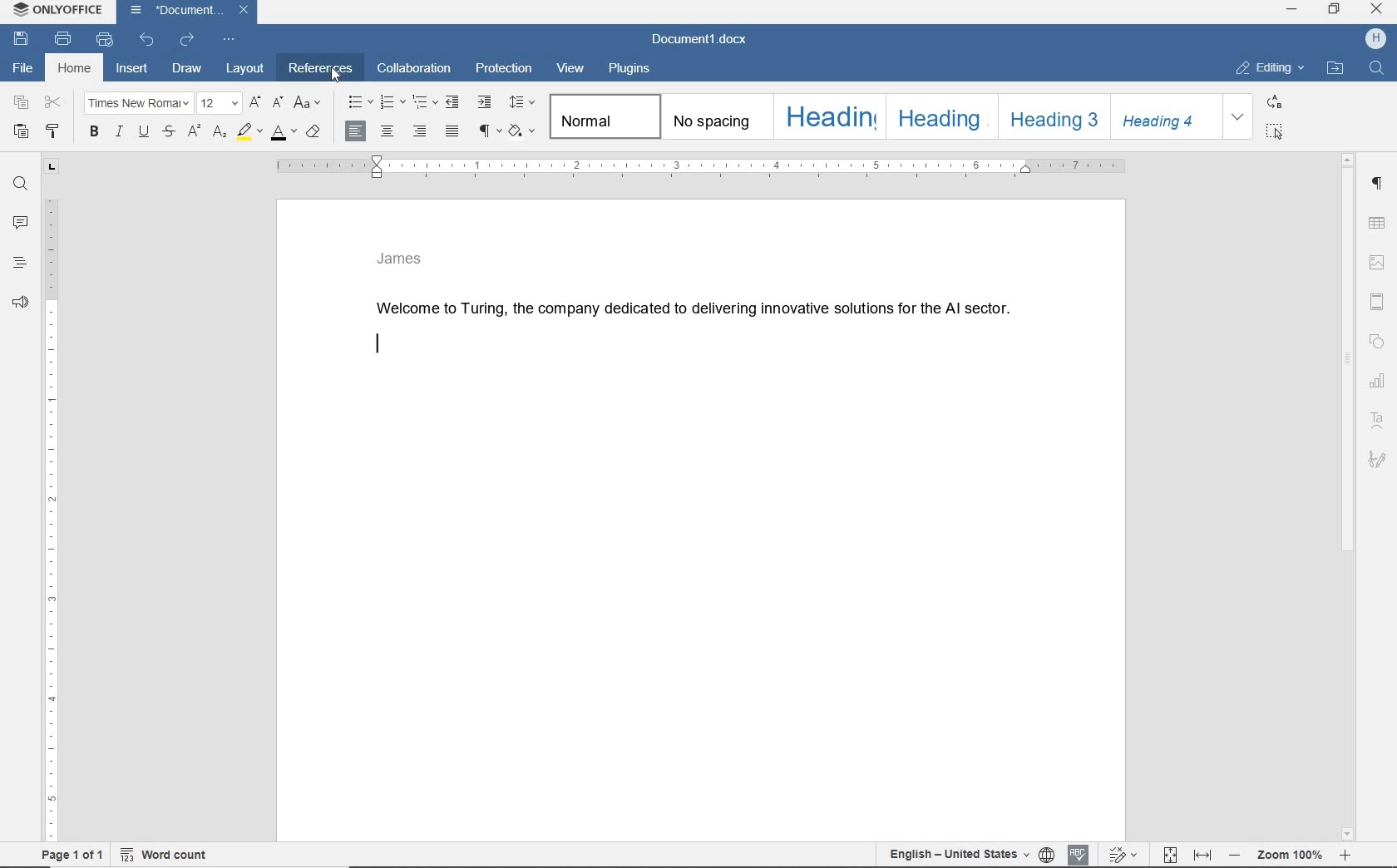  I want to click on change case, so click(309, 101).